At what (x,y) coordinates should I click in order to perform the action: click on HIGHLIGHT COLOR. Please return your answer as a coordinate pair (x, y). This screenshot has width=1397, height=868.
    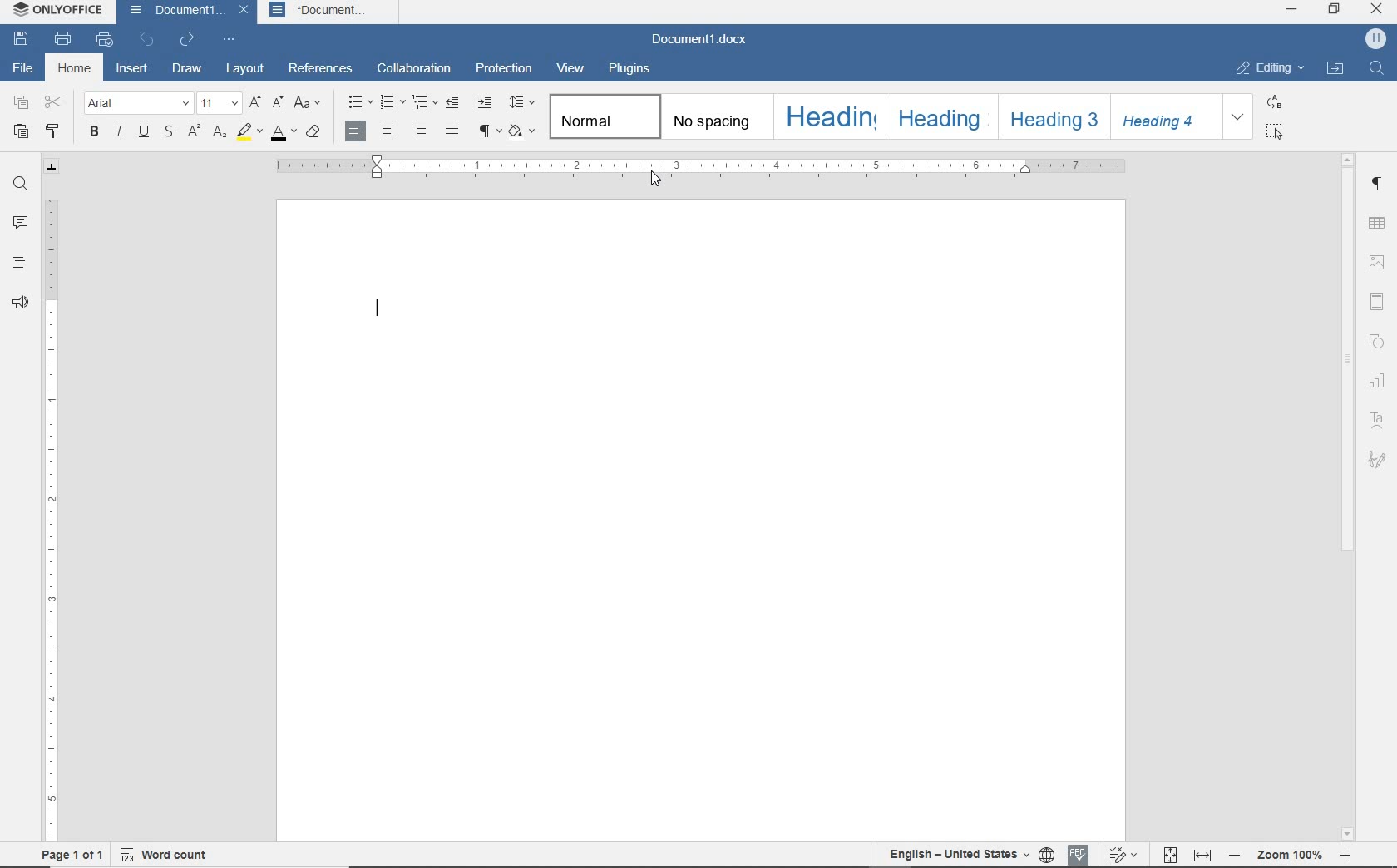
    Looking at the image, I should click on (249, 132).